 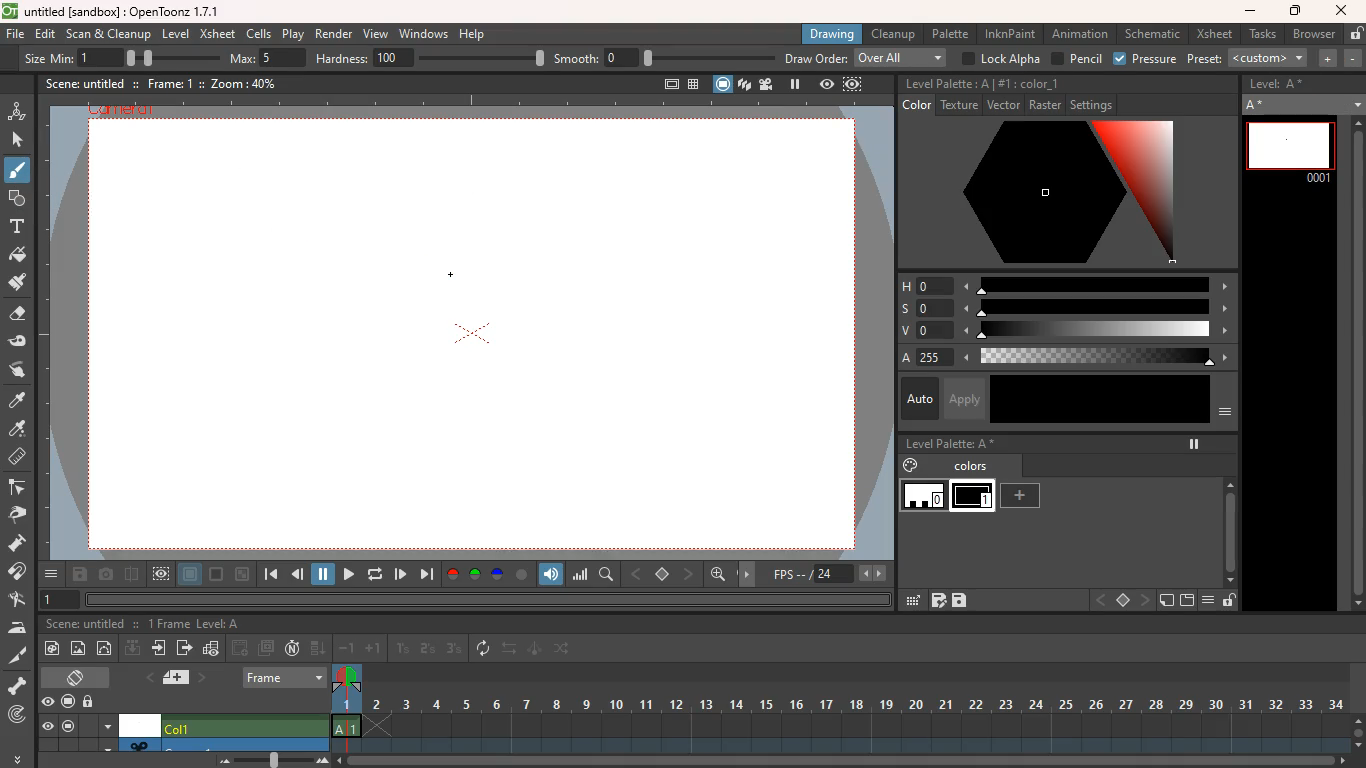 I want to click on screen, so click(x=721, y=83).